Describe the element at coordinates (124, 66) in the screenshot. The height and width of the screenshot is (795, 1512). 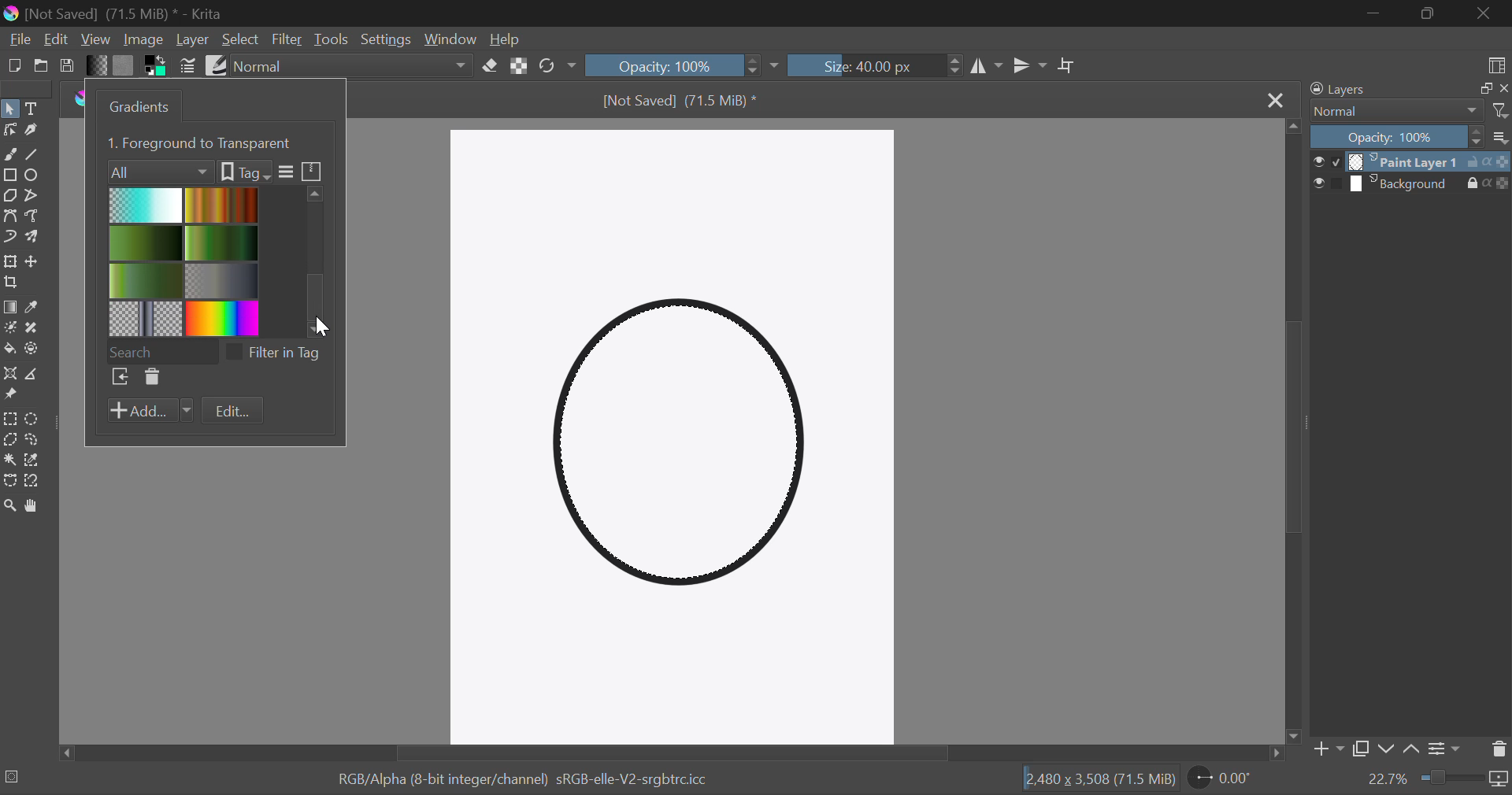
I see `Pattern` at that location.